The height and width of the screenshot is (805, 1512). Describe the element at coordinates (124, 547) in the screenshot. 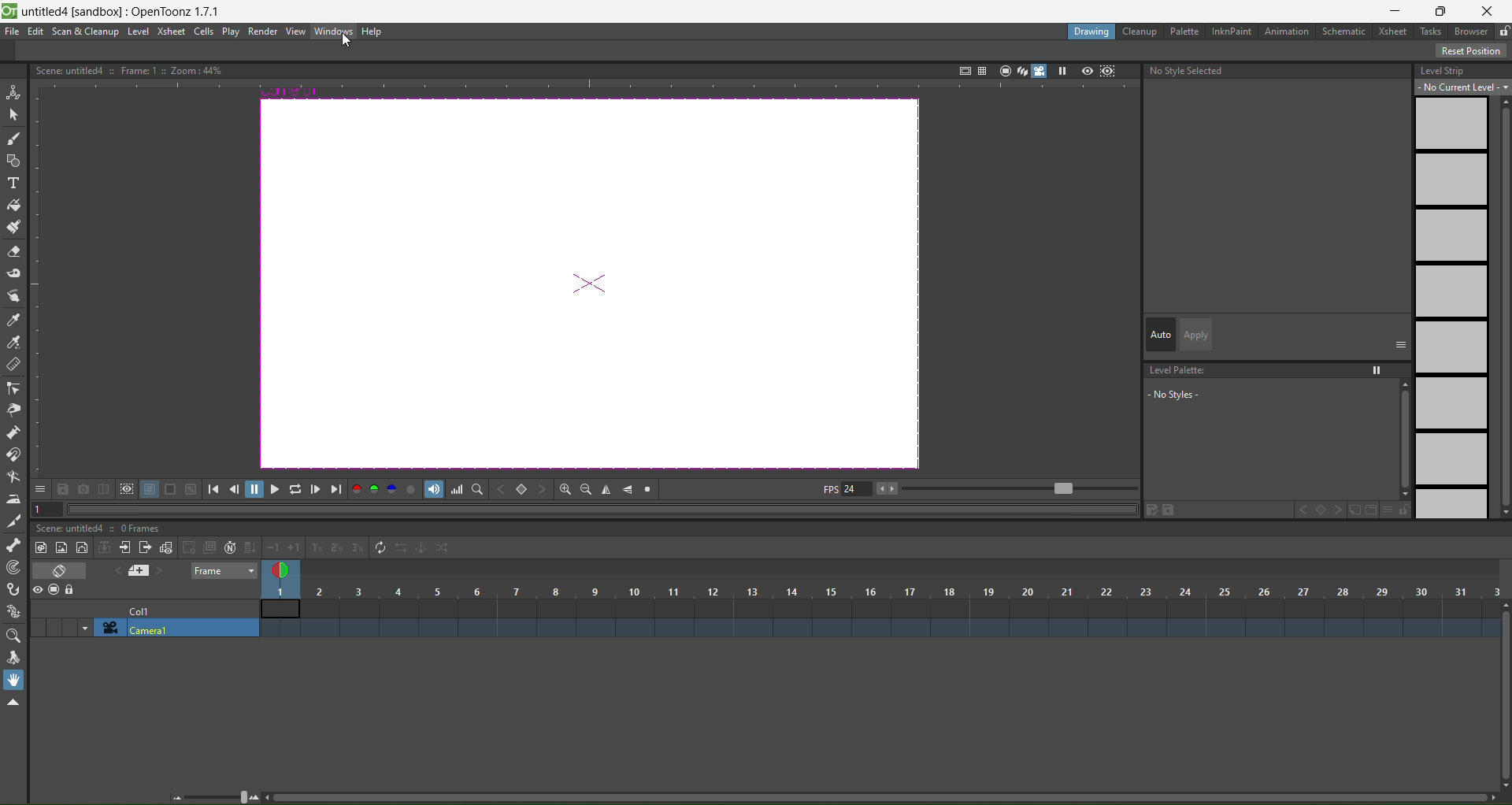

I see `close sub xsheet` at that location.